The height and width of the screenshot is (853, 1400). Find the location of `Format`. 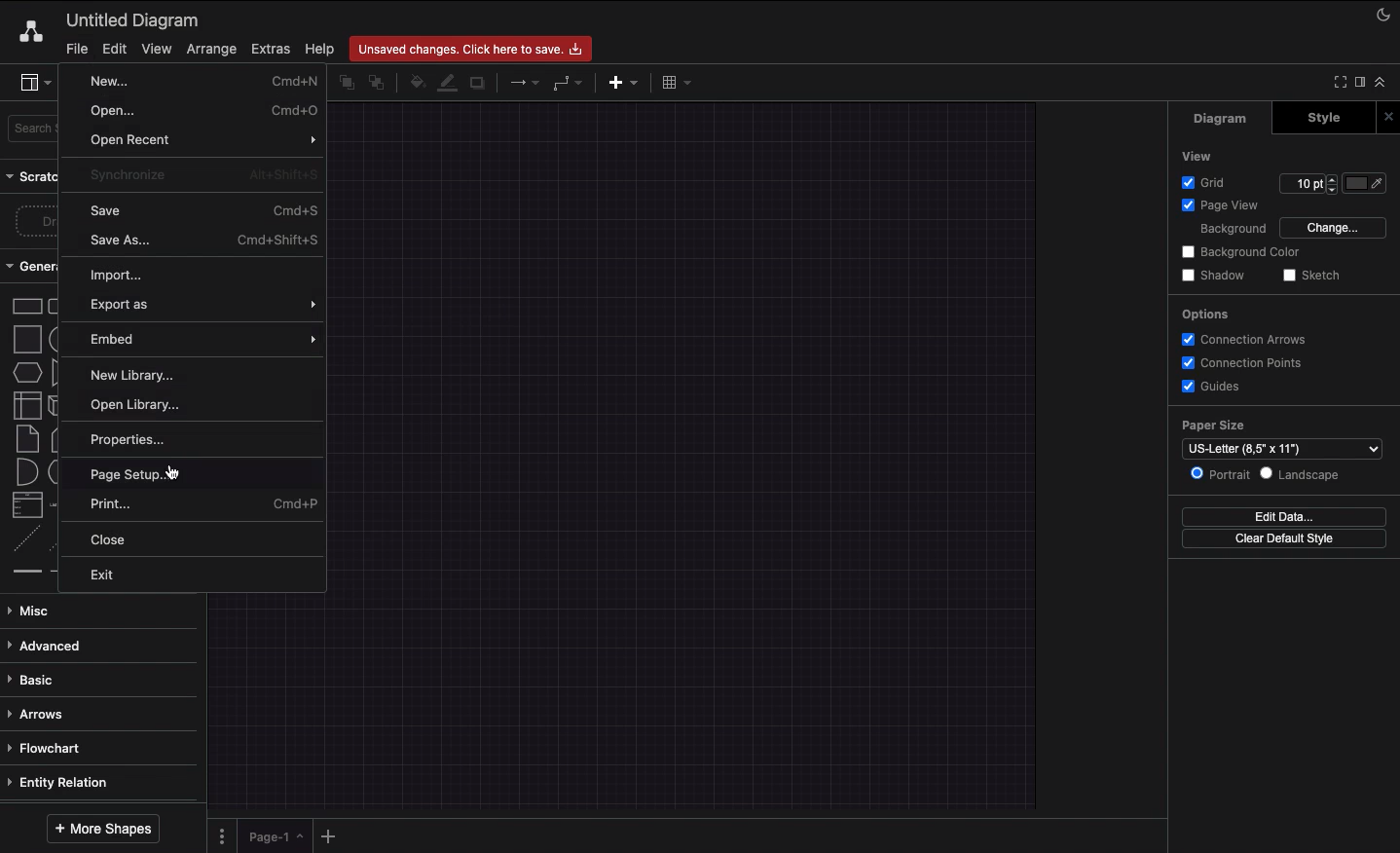

Format is located at coordinates (1361, 85).